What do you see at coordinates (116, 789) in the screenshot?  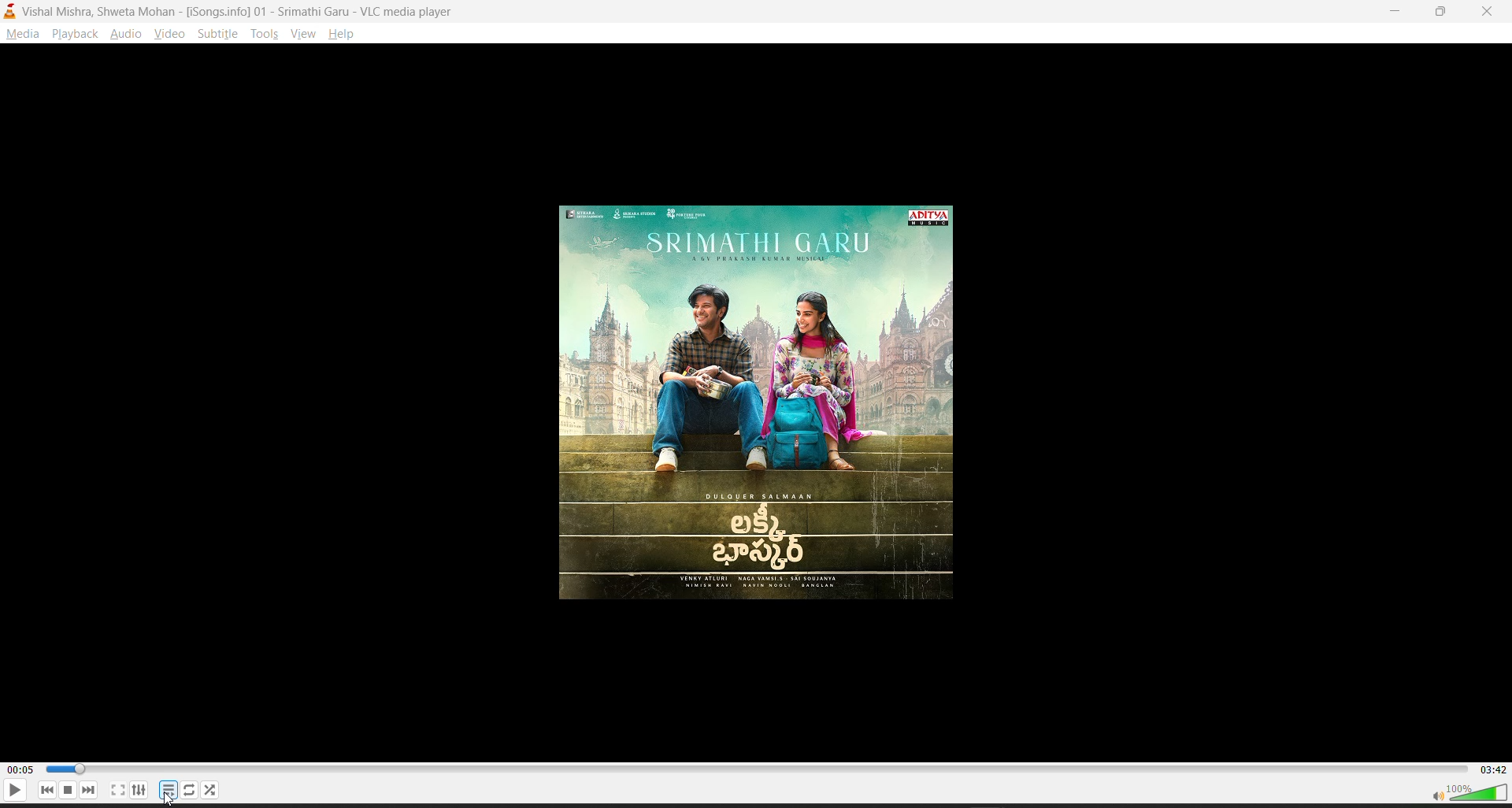 I see `full screen` at bounding box center [116, 789].